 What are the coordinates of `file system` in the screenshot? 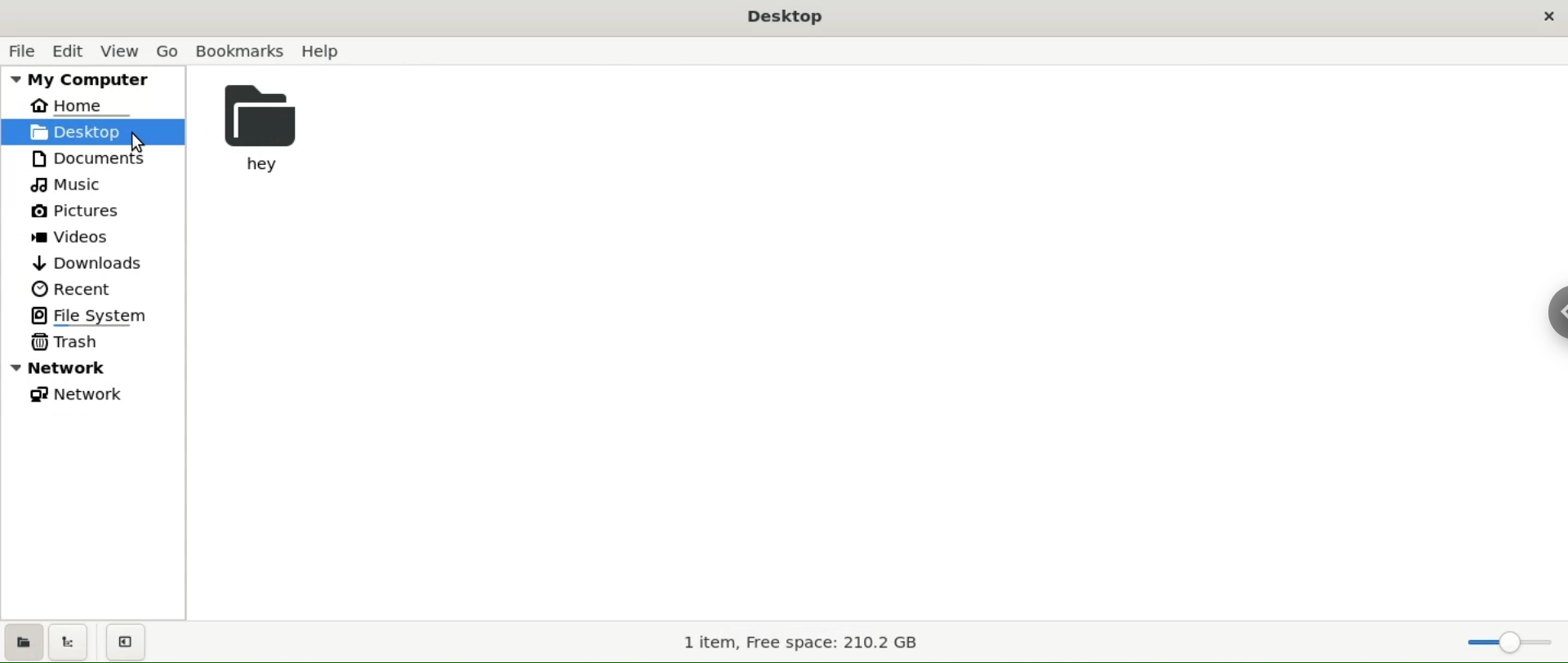 It's located at (88, 315).